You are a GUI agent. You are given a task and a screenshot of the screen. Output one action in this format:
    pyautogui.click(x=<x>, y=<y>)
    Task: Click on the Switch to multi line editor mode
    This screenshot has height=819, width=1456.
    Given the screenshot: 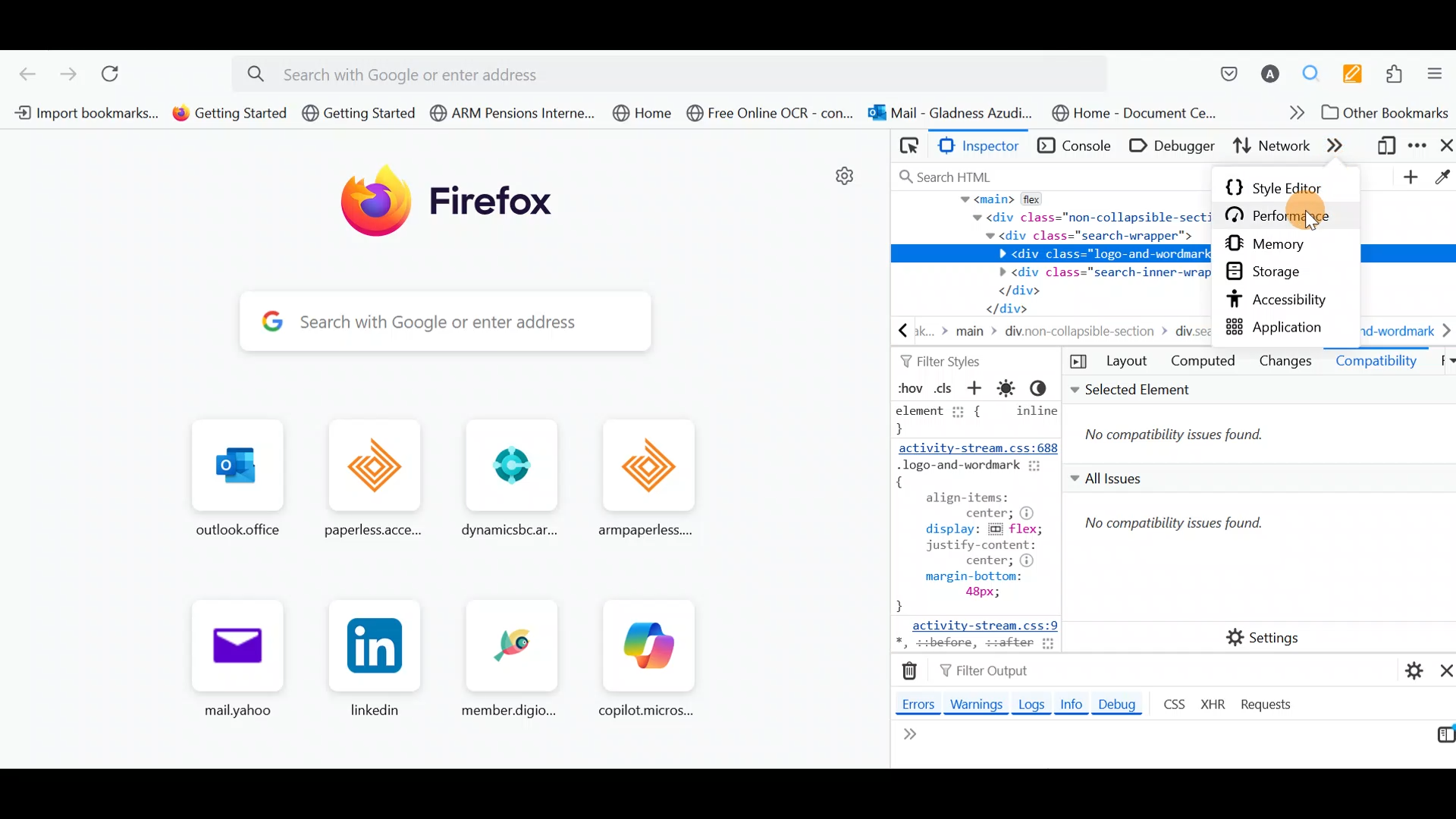 What is the action you would take?
    pyautogui.click(x=1440, y=739)
    